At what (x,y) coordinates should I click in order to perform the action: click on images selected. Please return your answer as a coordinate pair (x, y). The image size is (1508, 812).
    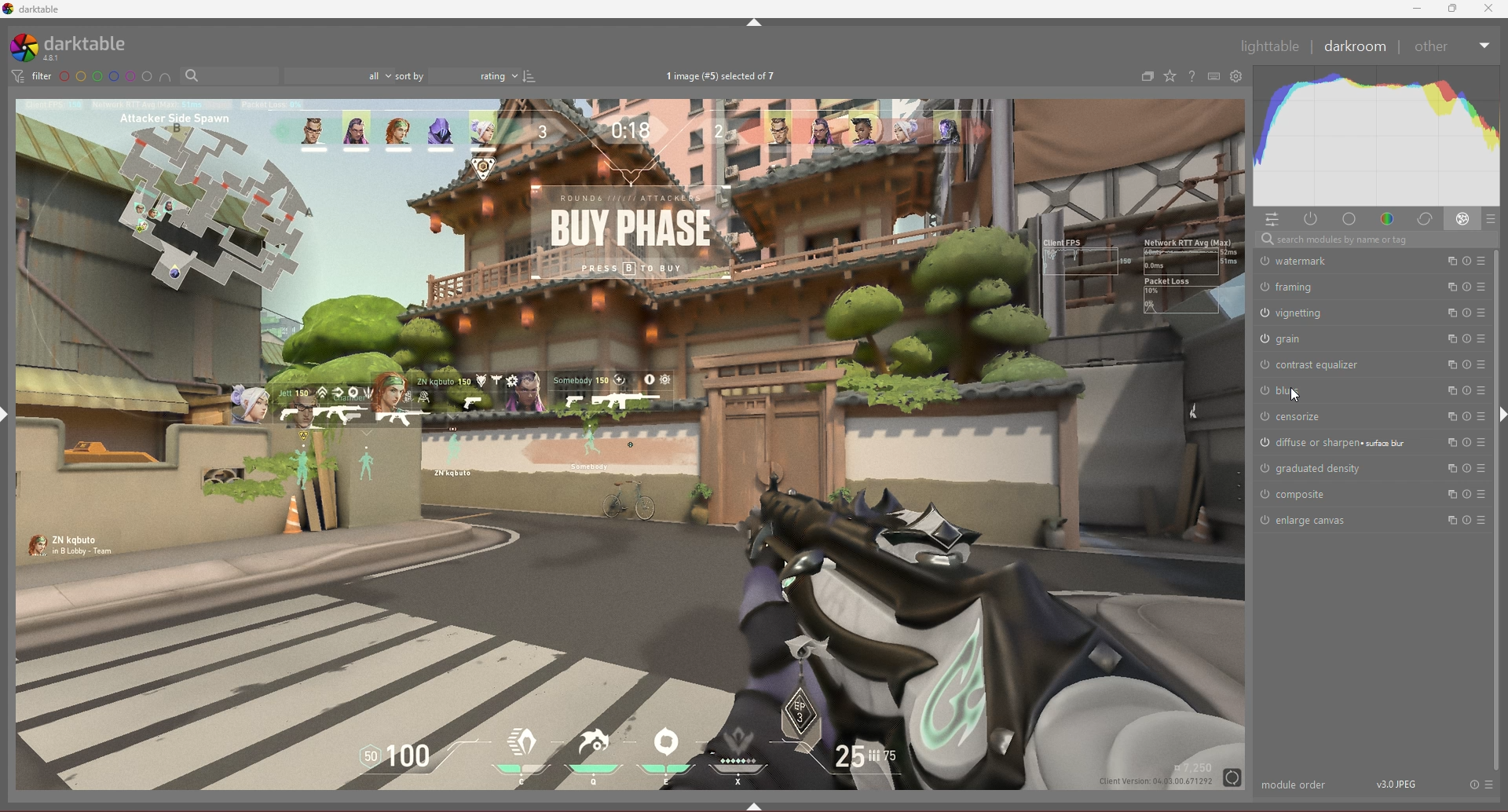
    Looking at the image, I should click on (723, 75).